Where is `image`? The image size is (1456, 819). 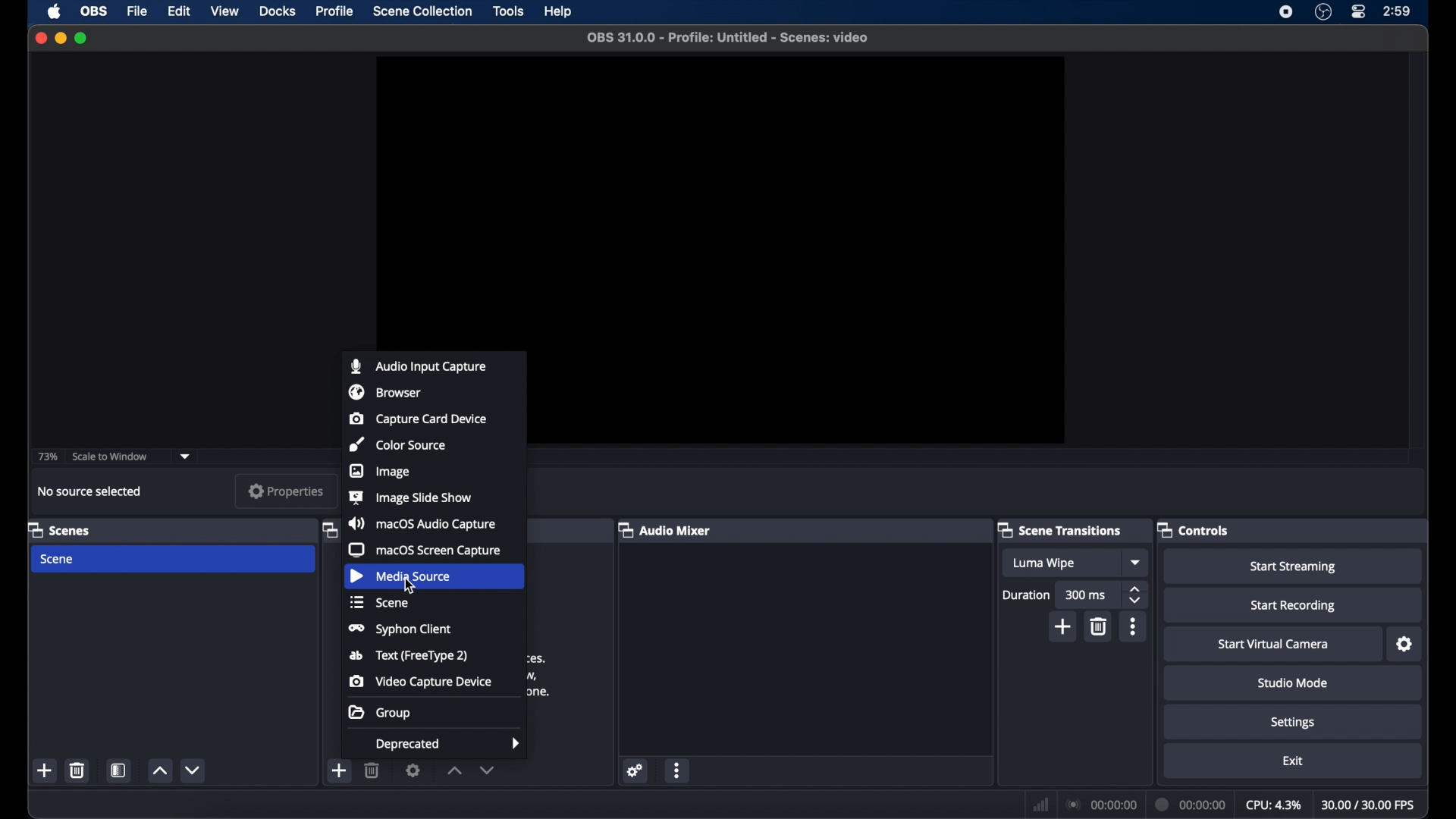
image is located at coordinates (378, 471).